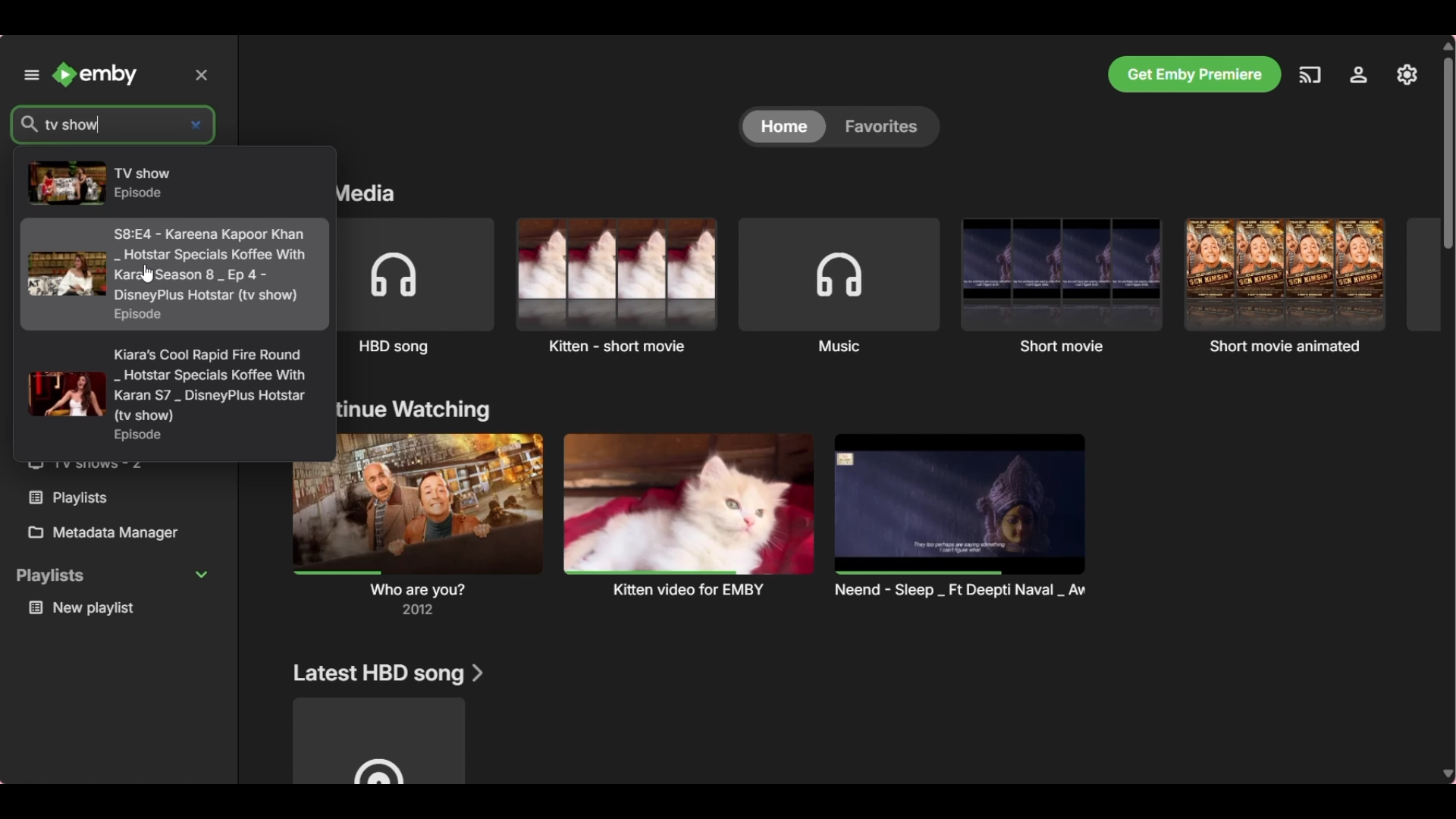  Describe the element at coordinates (616, 285) in the screenshot. I see `Kitten short movie` at that location.